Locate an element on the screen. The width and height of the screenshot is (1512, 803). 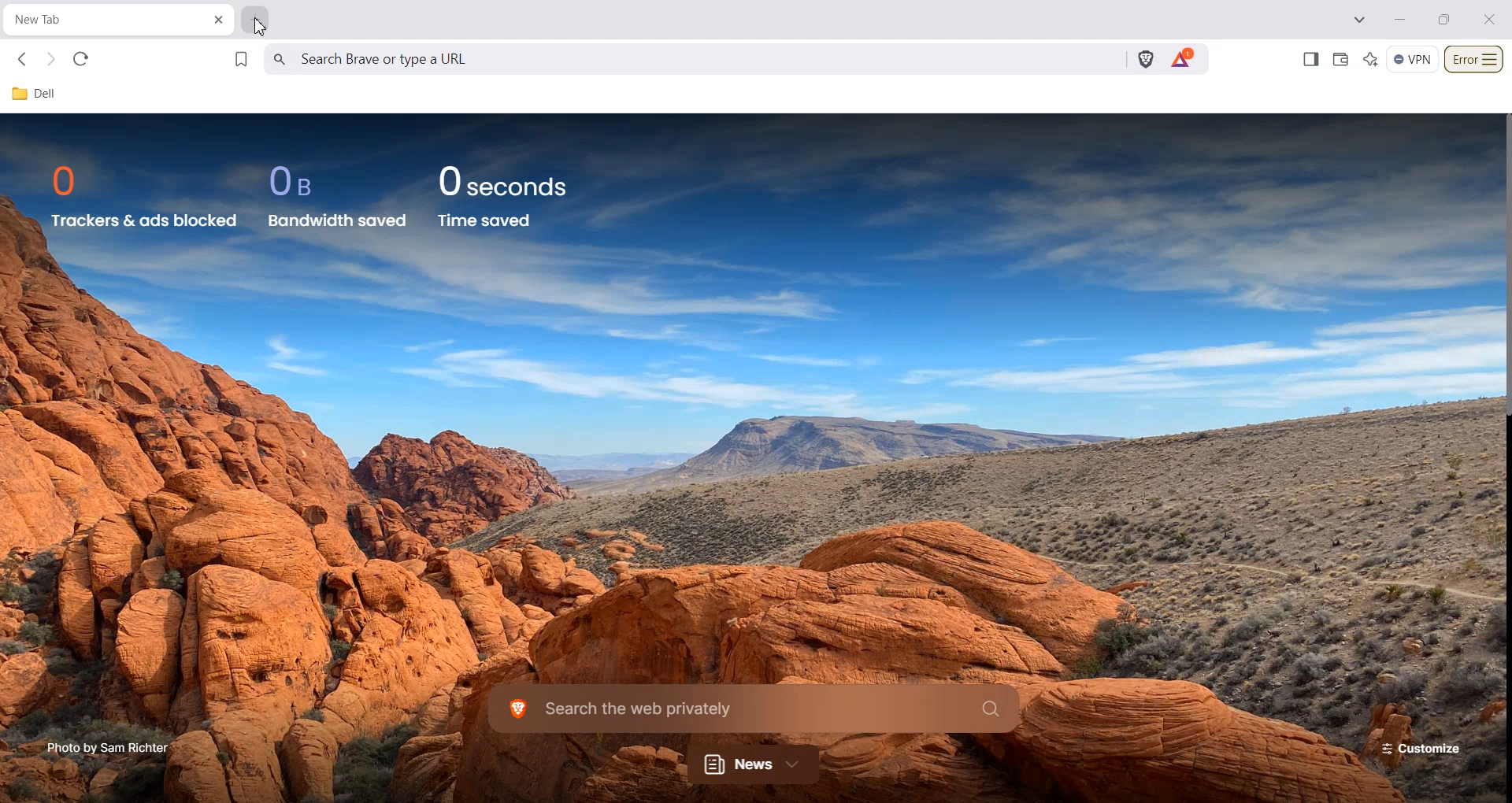
Time saved is located at coordinates (485, 220).